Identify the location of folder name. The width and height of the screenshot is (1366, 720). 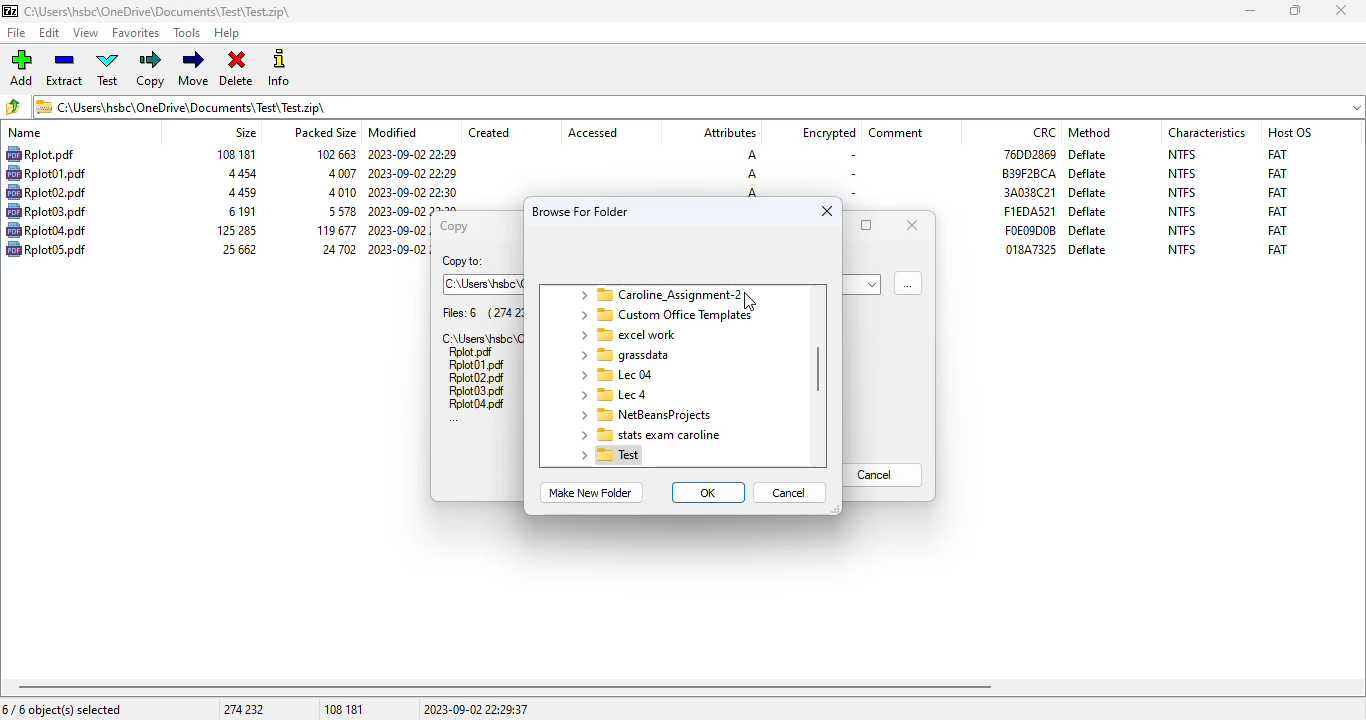
(610, 455).